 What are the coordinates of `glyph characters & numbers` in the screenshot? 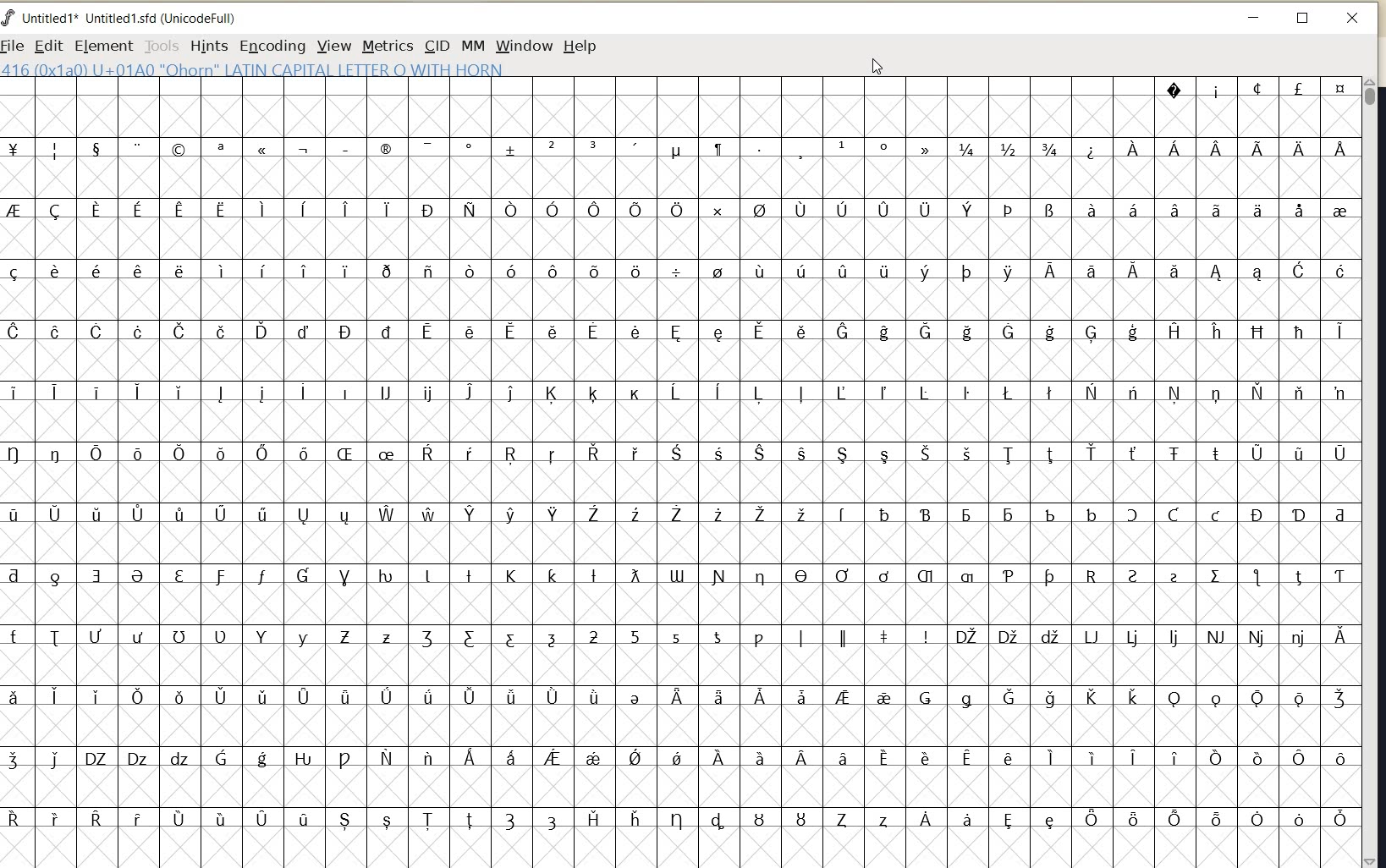 It's located at (679, 470).